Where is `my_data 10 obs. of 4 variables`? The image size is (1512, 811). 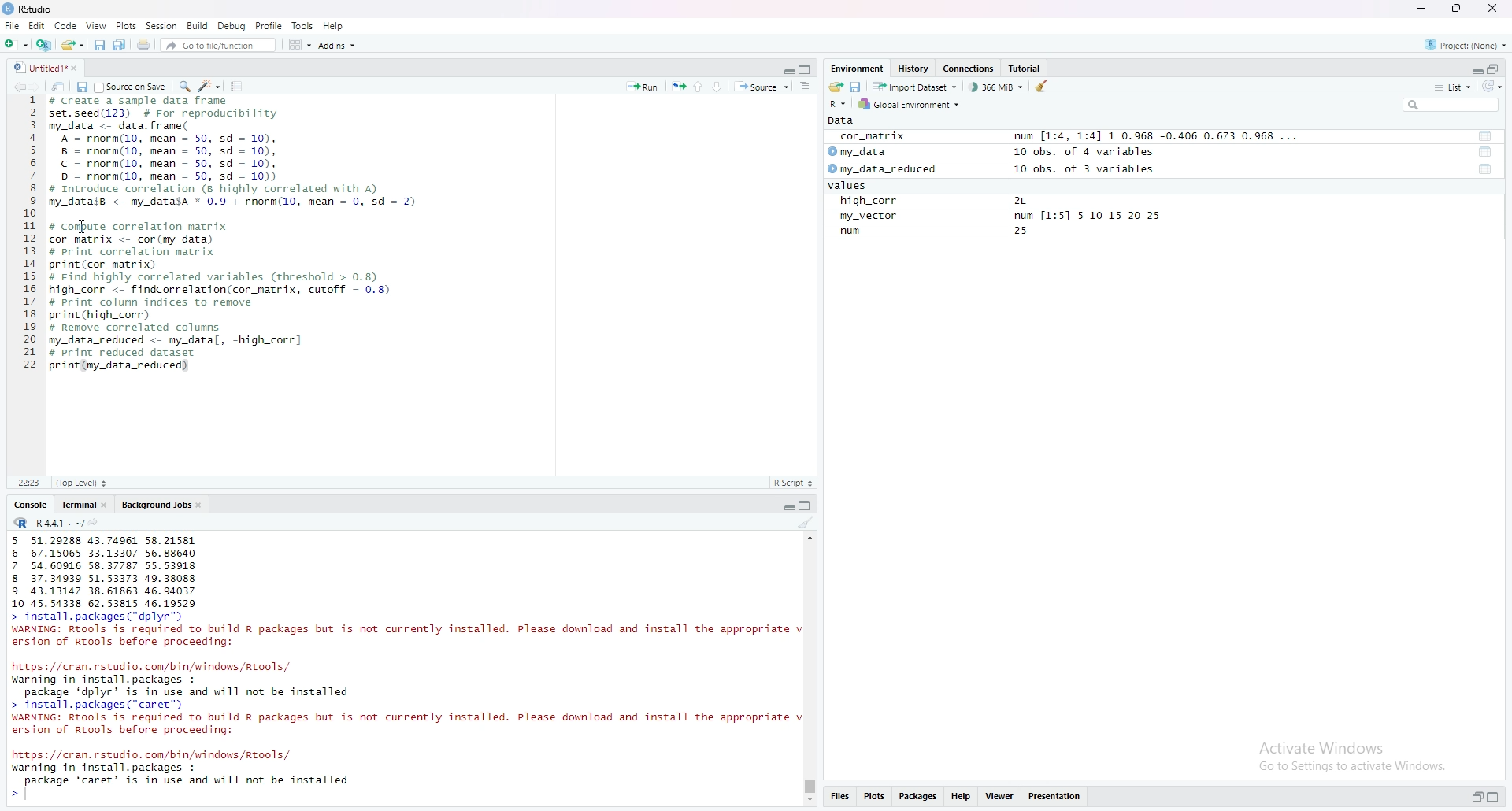
my_data 10 obs. of 4 variables is located at coordinates (991, 152).